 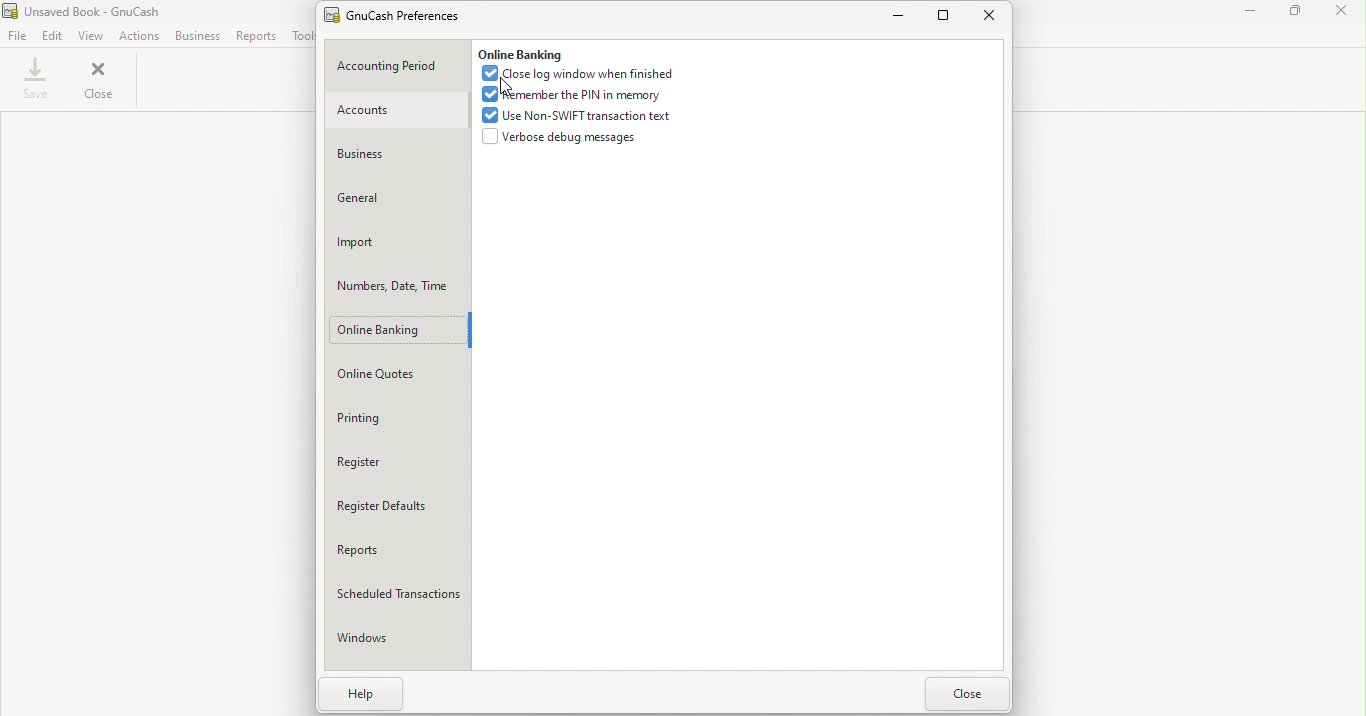 I want to click on Windows, so click(x=396, y=643).